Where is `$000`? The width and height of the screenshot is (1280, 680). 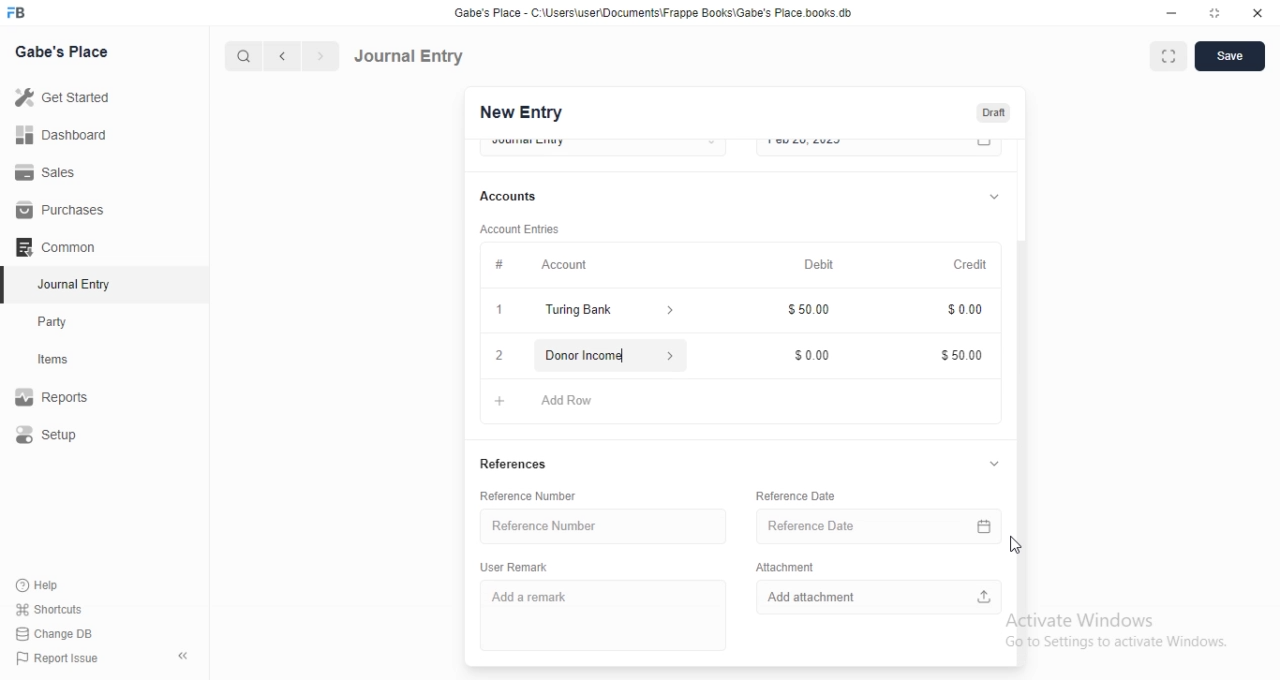 $000 is located at coordinates (814, 351).